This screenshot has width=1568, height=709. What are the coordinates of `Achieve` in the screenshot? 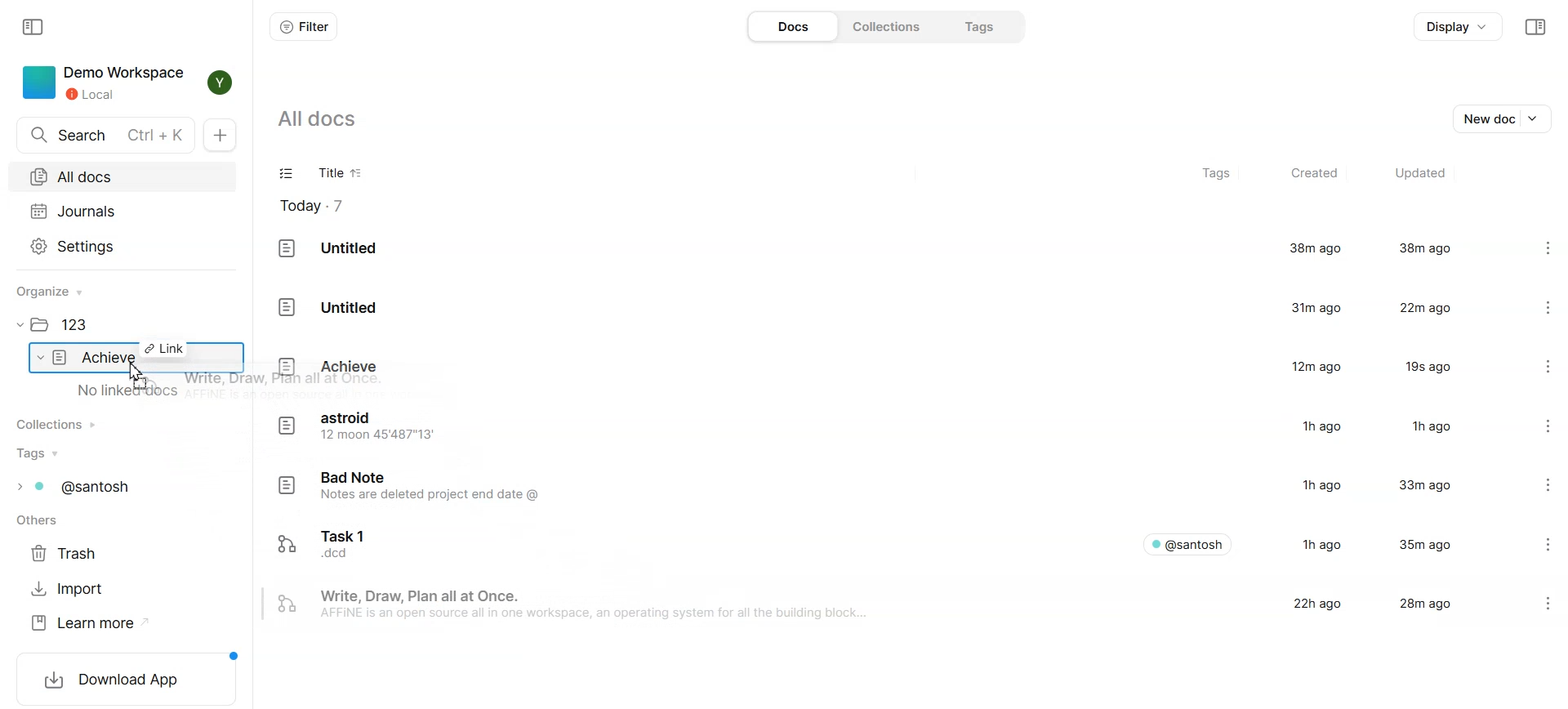 It's located at (98, 358).